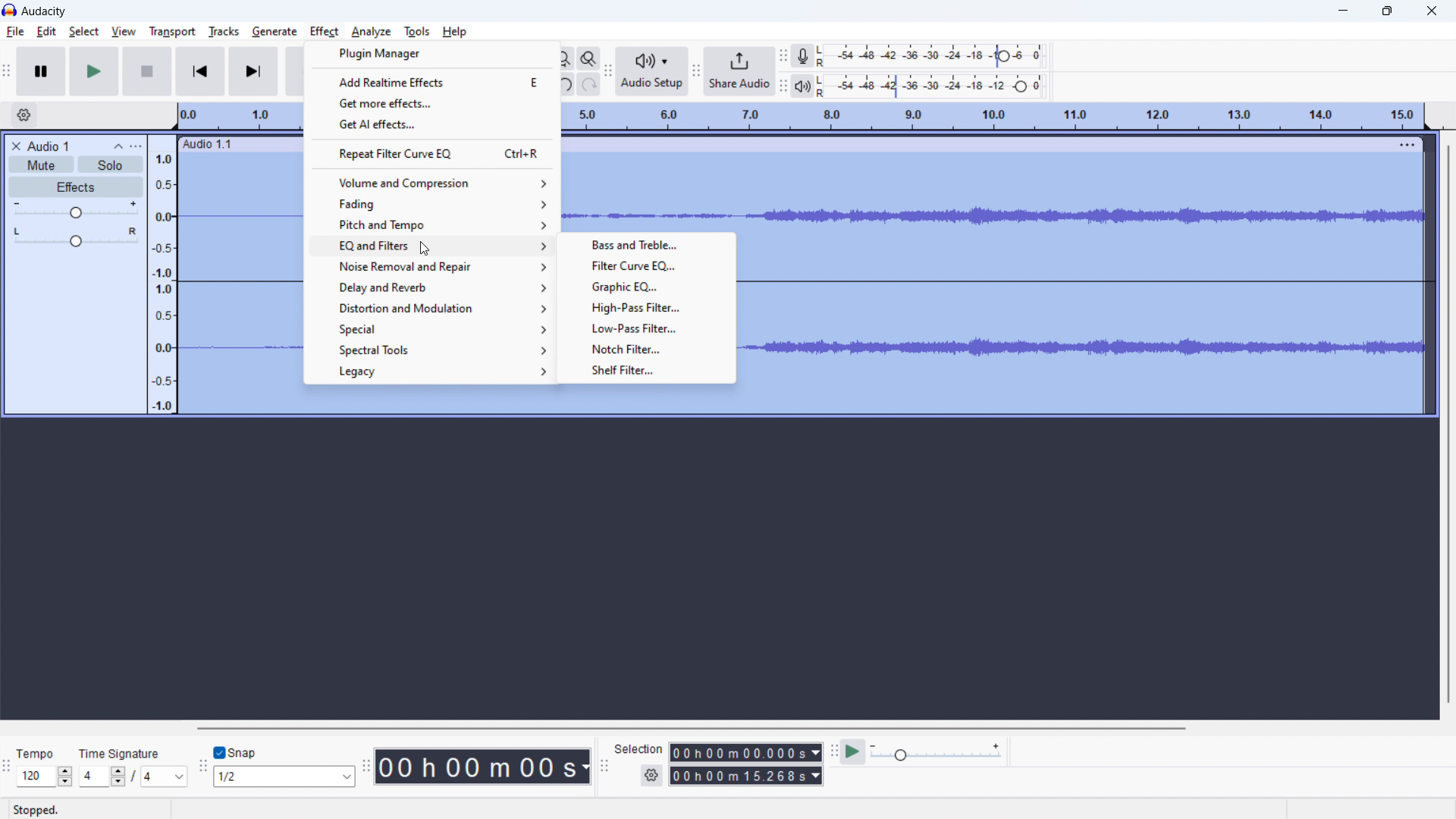 The height and width of the screenshot is (819, 1456). I want to click on project title, so click(49, 146).